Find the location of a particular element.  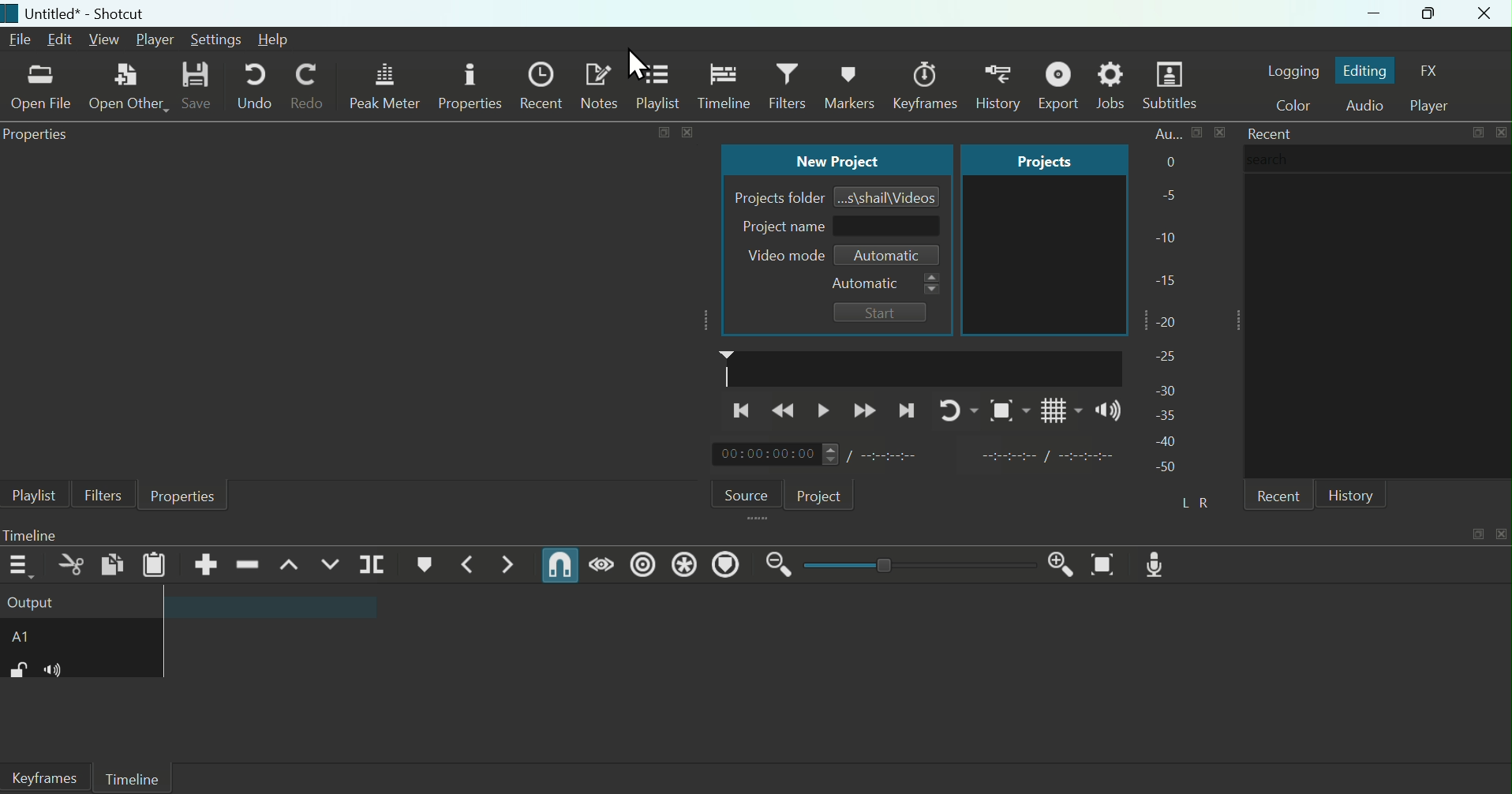

Projects folder is located at coordinates (776, 197).